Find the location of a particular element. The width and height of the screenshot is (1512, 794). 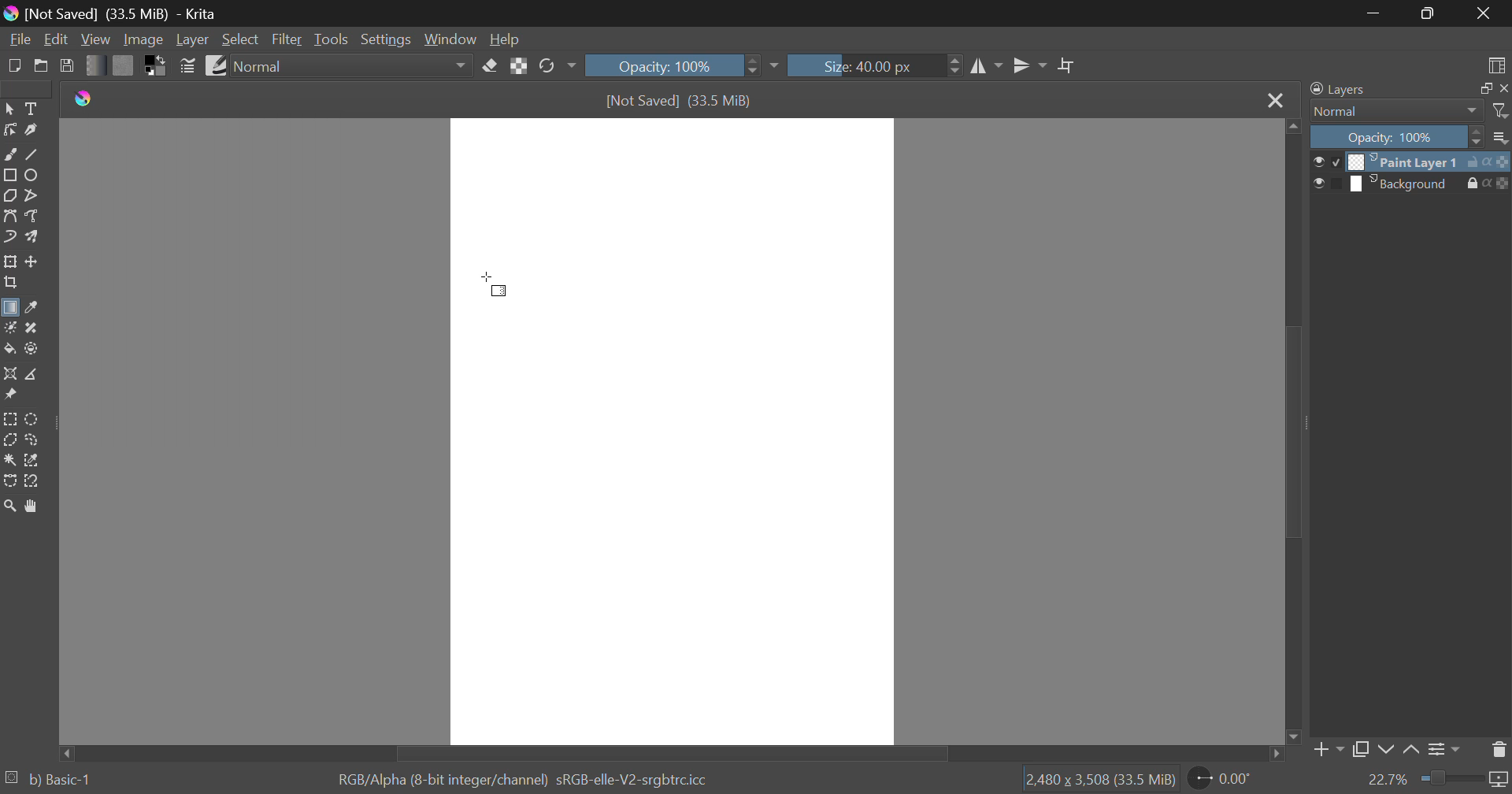

New is located at coordinates (13, 64).